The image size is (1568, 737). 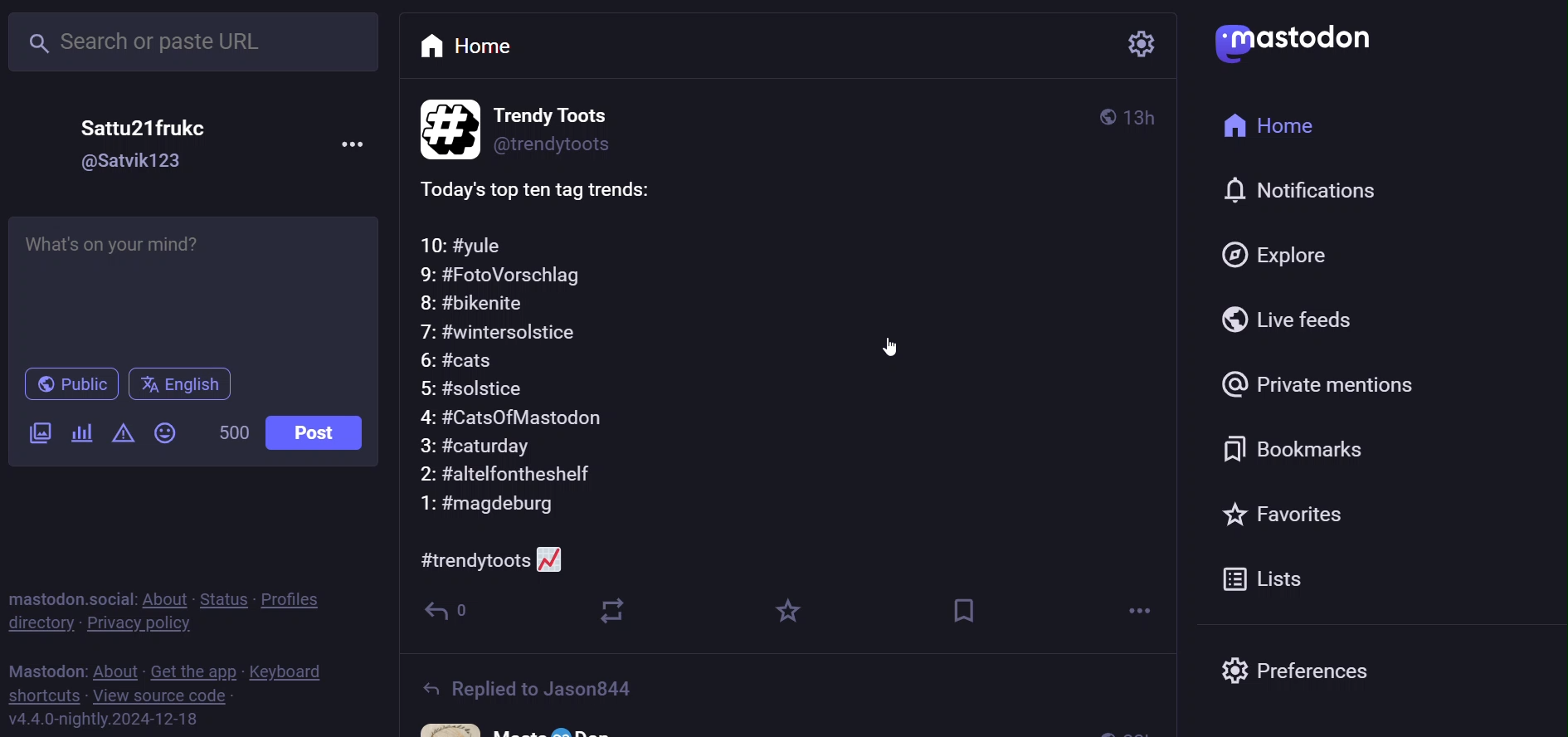 What do you see at coordinates (535, 378) in the screenshot?
I see `Today's top ten tag trends:10: #yule9: #FotoVorschlag8: #bikenite7: #wintersolstice6: #cats5: #solstice4: #CatsOfMastodon3: #caturday2: #altelfontheshelf1: #magdeburg#trendytoots` at bounding box center [535, 378].